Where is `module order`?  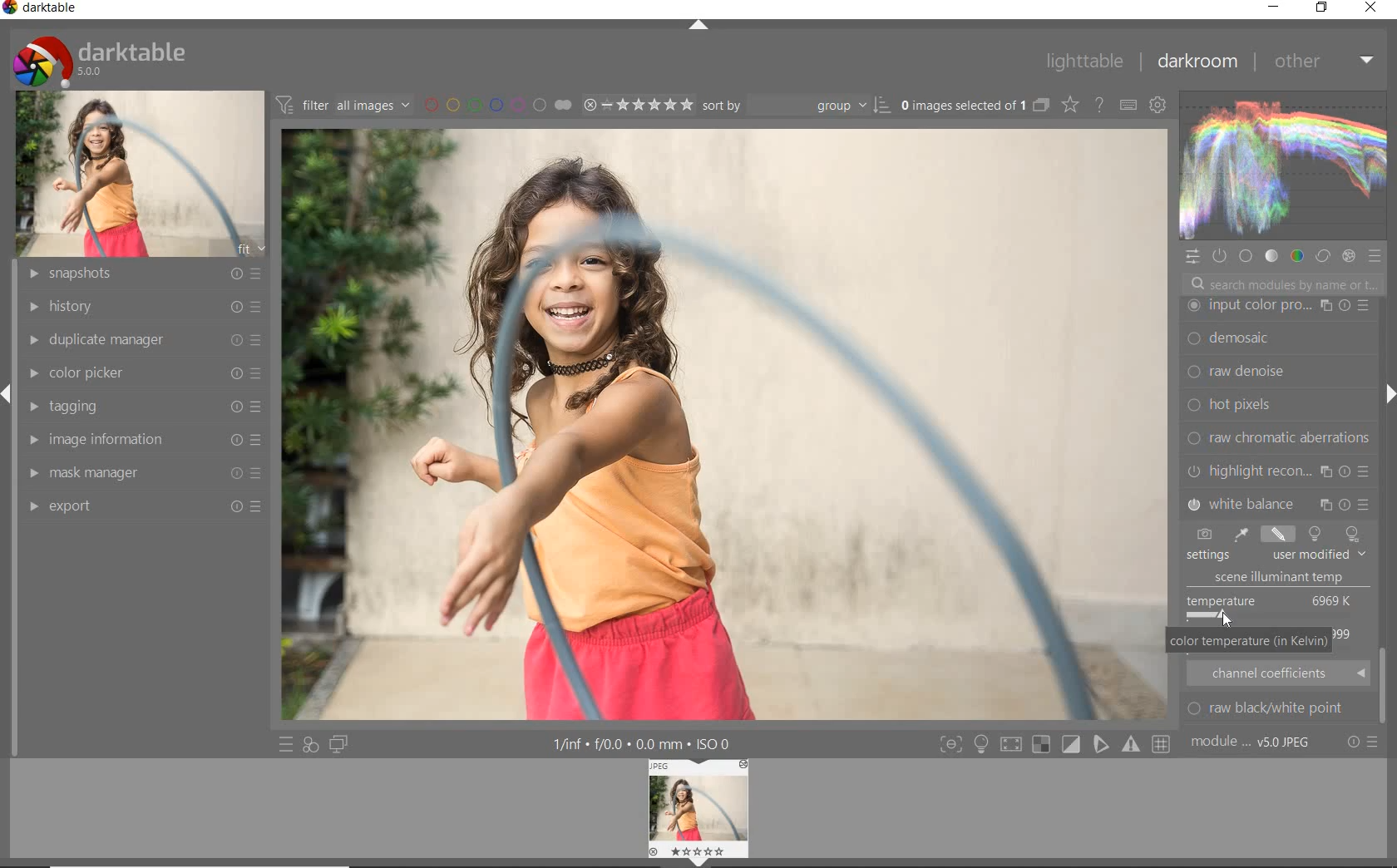 module order is located at coordinates (1253, 743).